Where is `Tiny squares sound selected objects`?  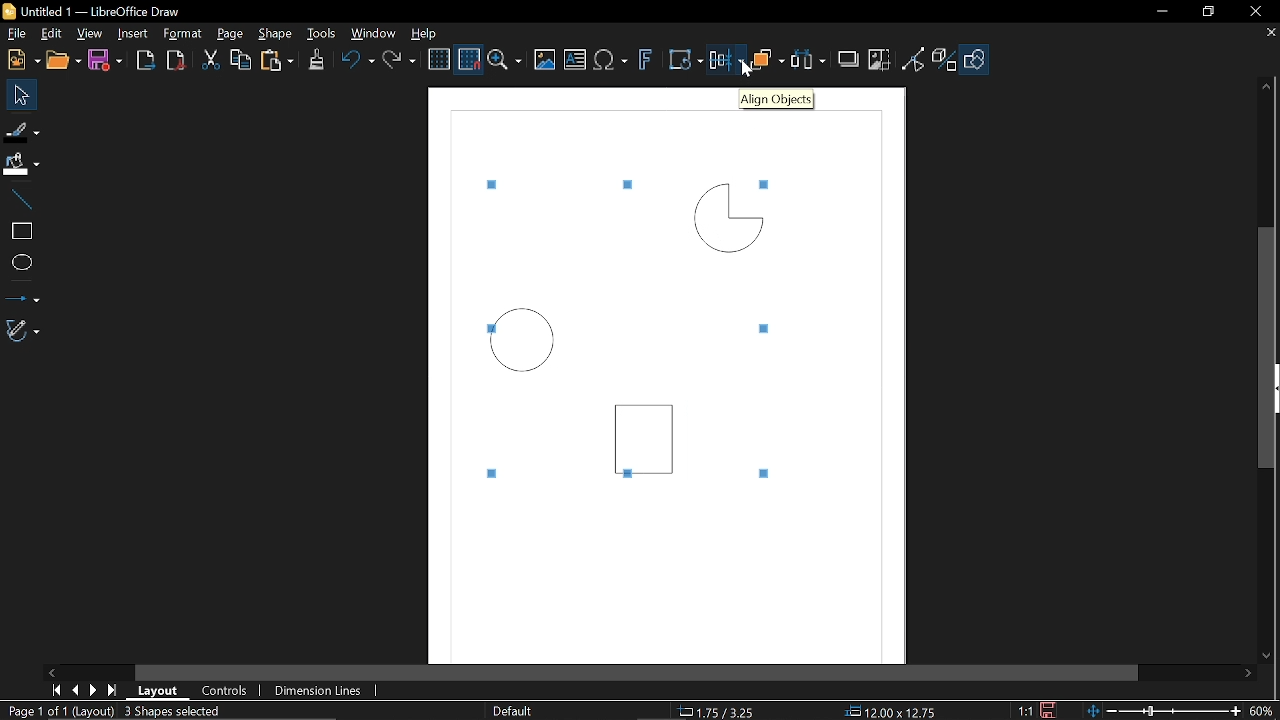
Tiny squares sound selected objects is located at coordinates (623, 184).